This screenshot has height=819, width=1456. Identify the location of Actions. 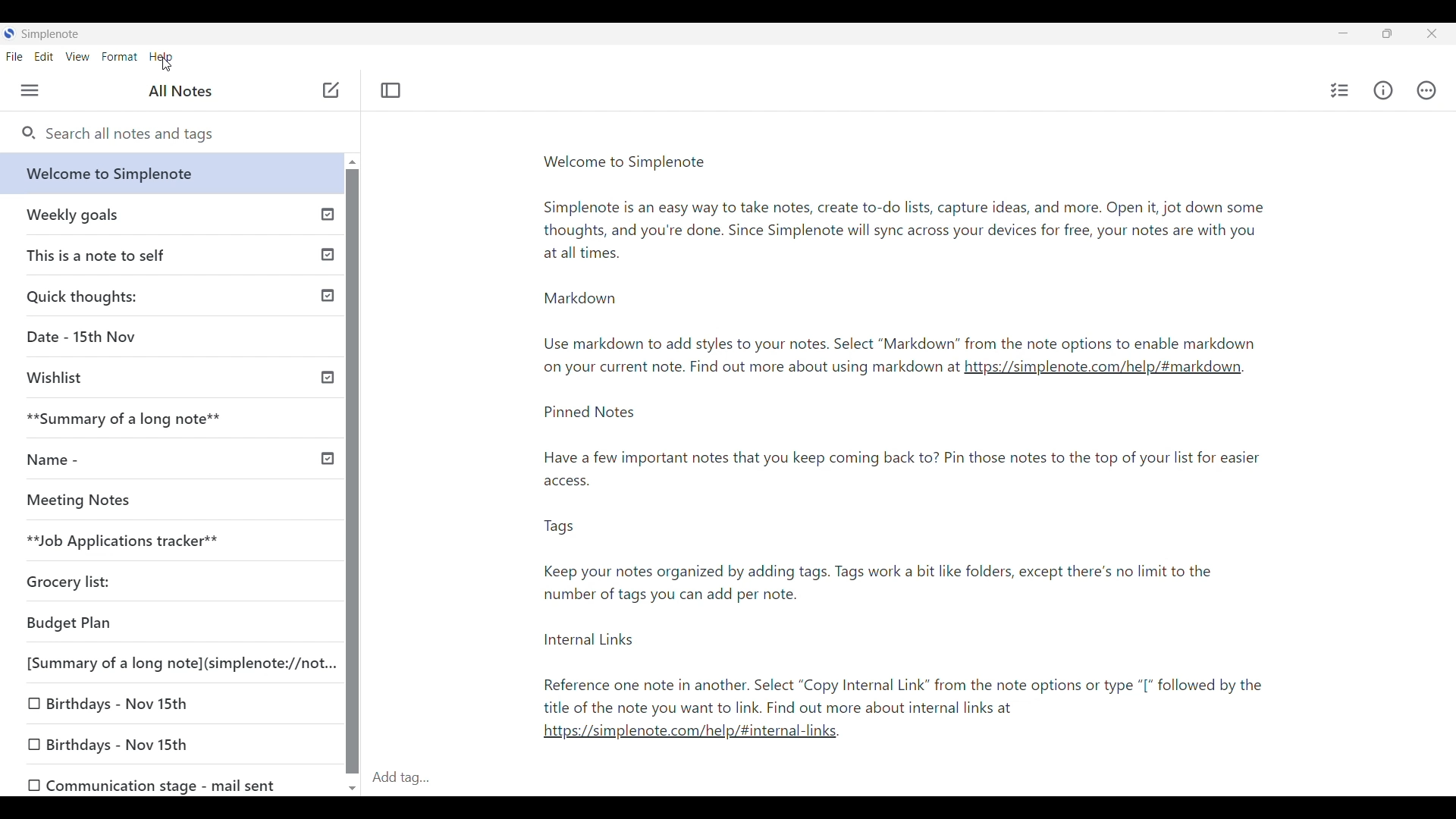
(1427, 90).